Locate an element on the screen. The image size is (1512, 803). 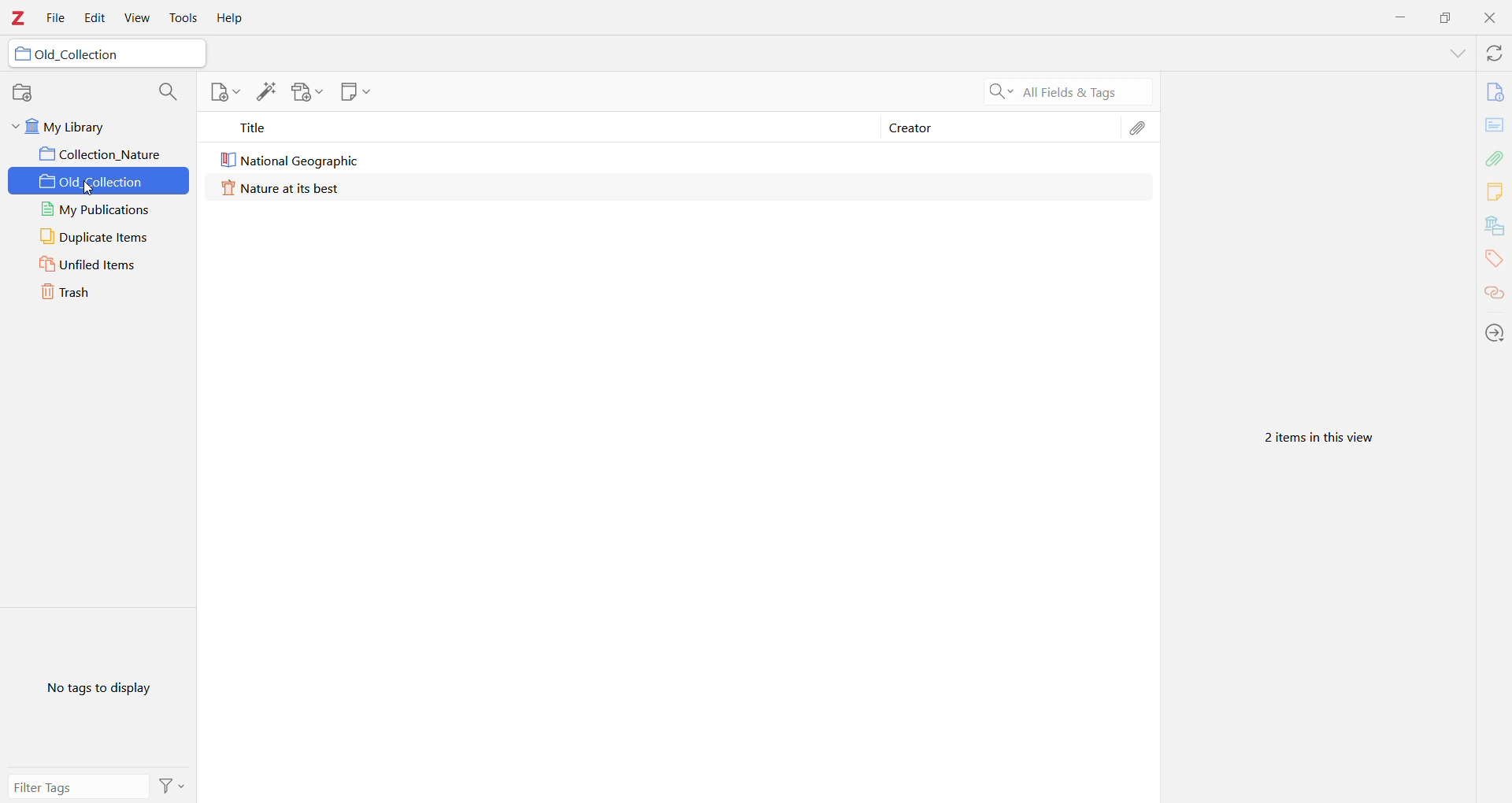
Actions is located at coordinates (1495, 334).